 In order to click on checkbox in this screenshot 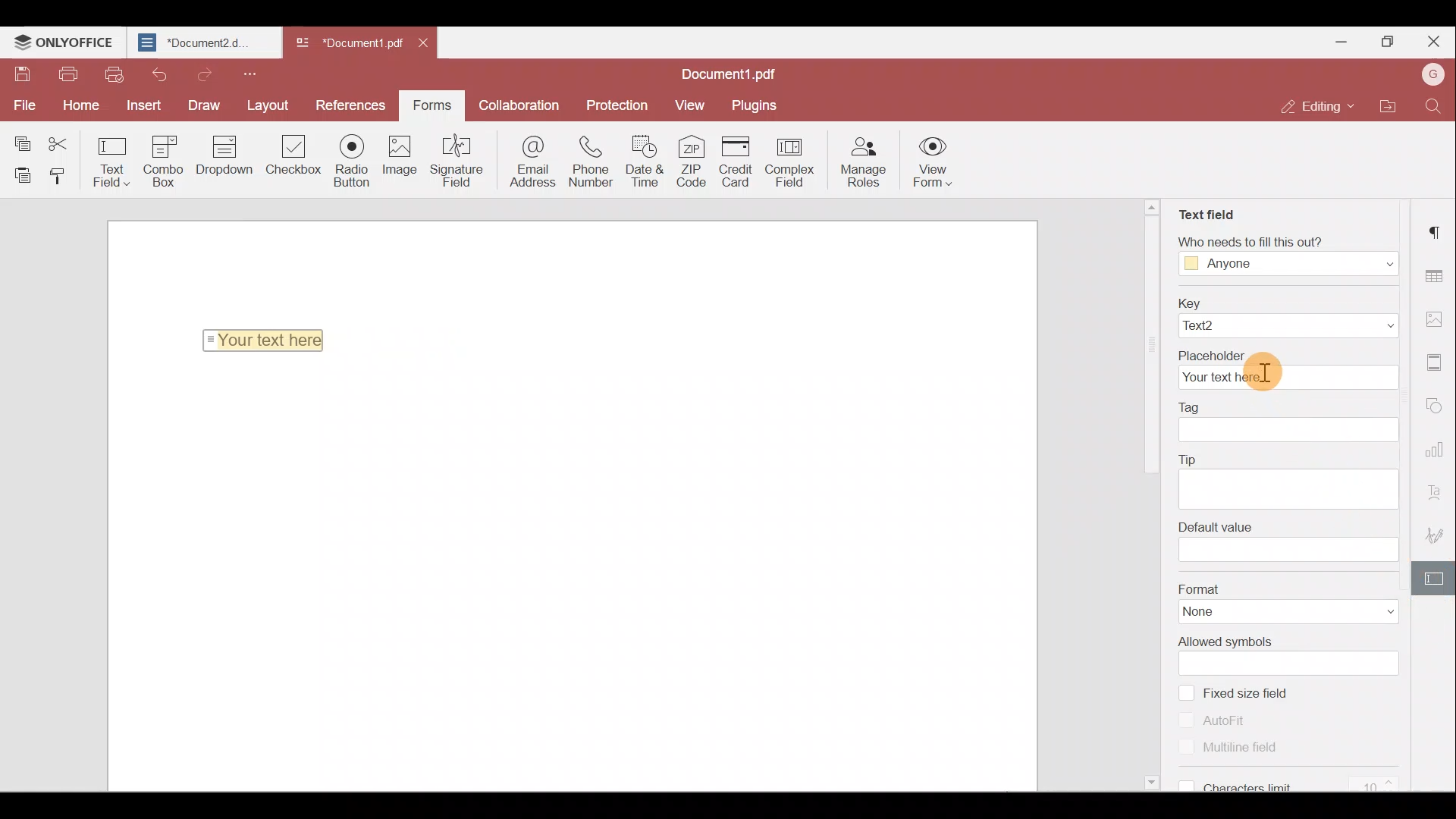, I will do `click(1183, 783)`.